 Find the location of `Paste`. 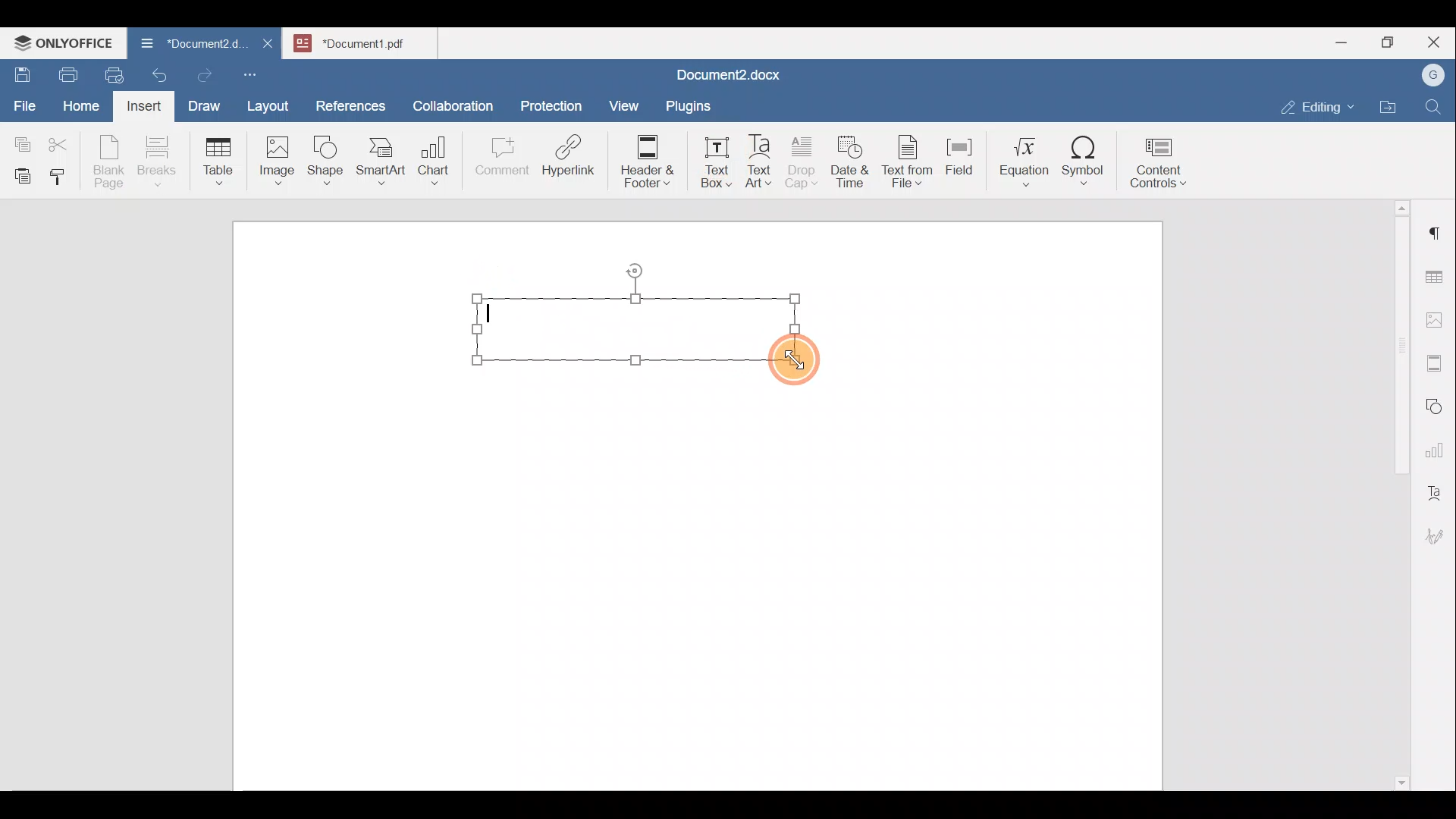

Paste is located at coordinates (19, 172).